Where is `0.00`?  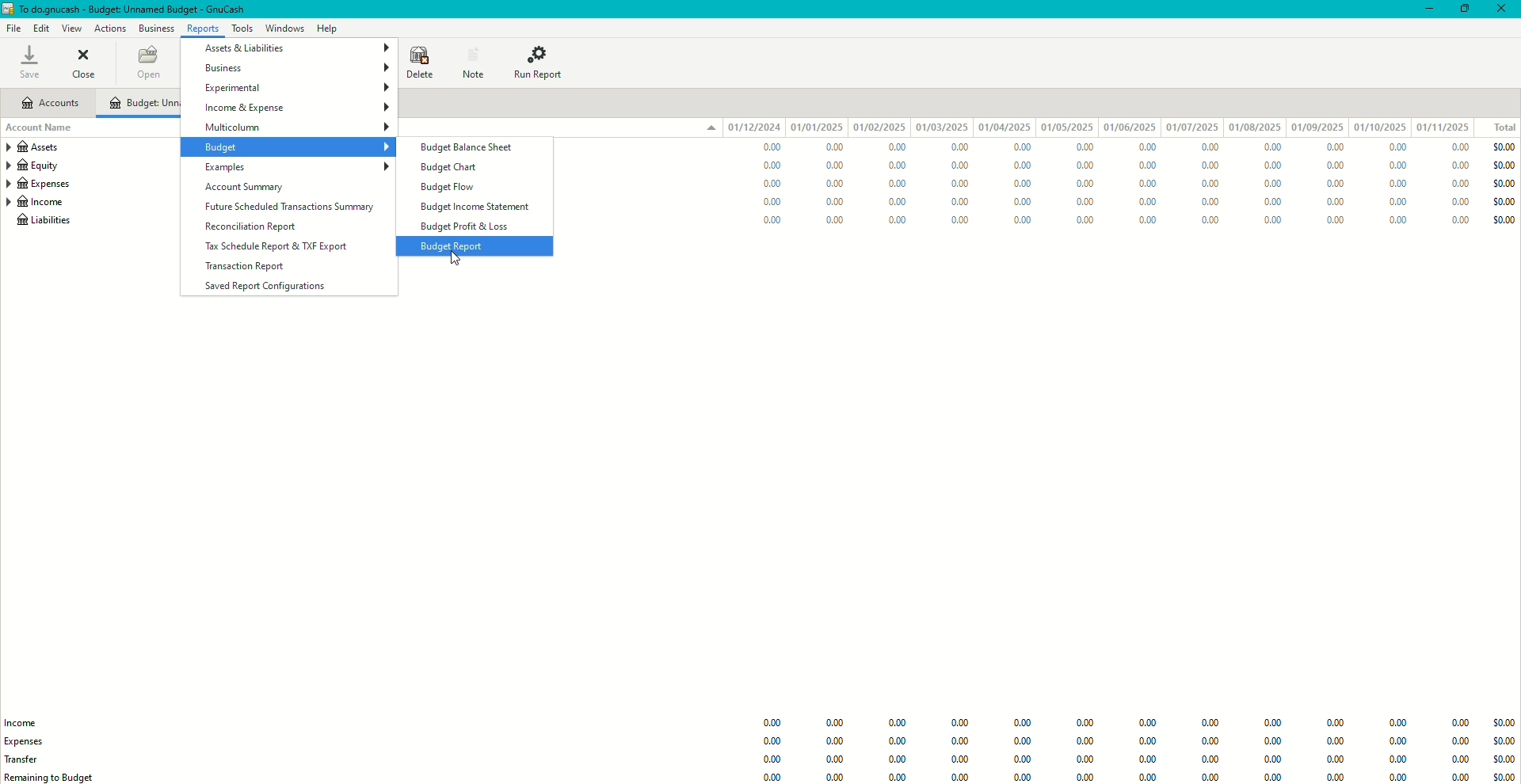 0.00 is located at coordinates (1018, 147).